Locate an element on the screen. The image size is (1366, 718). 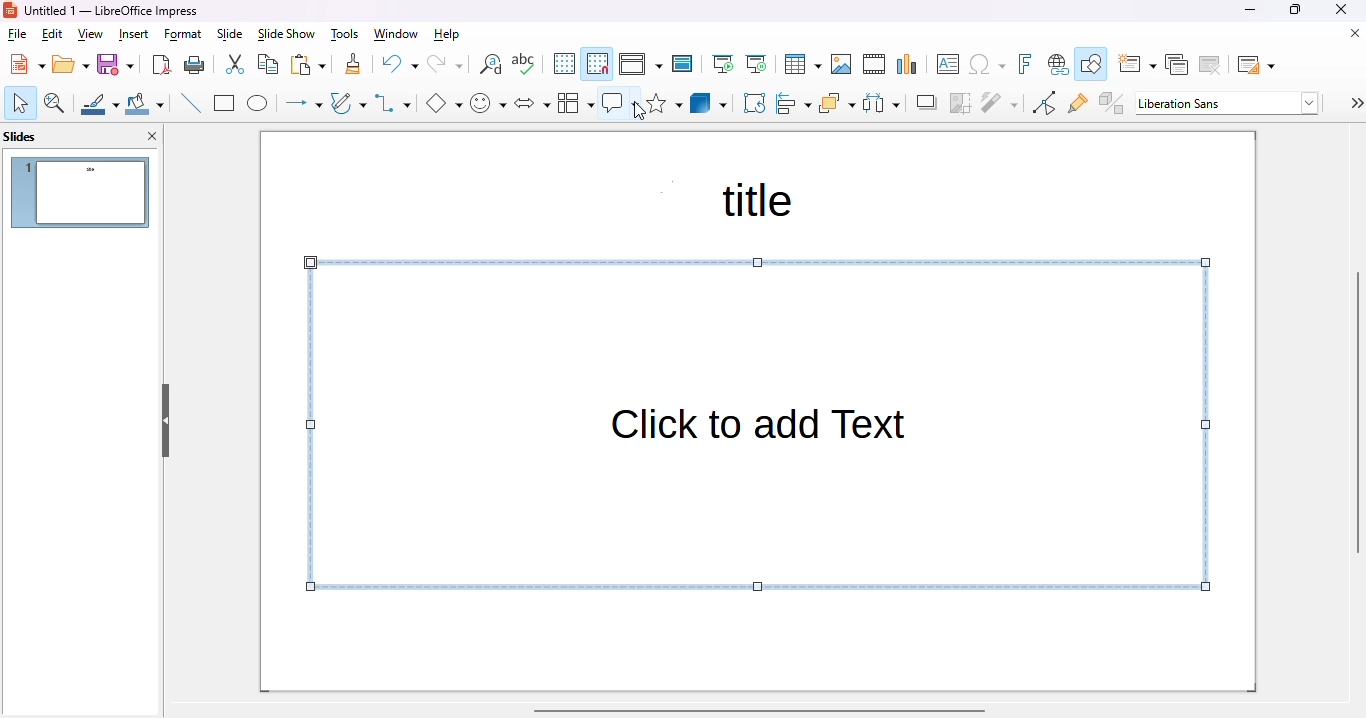
title is located at coordinates (752, 199).